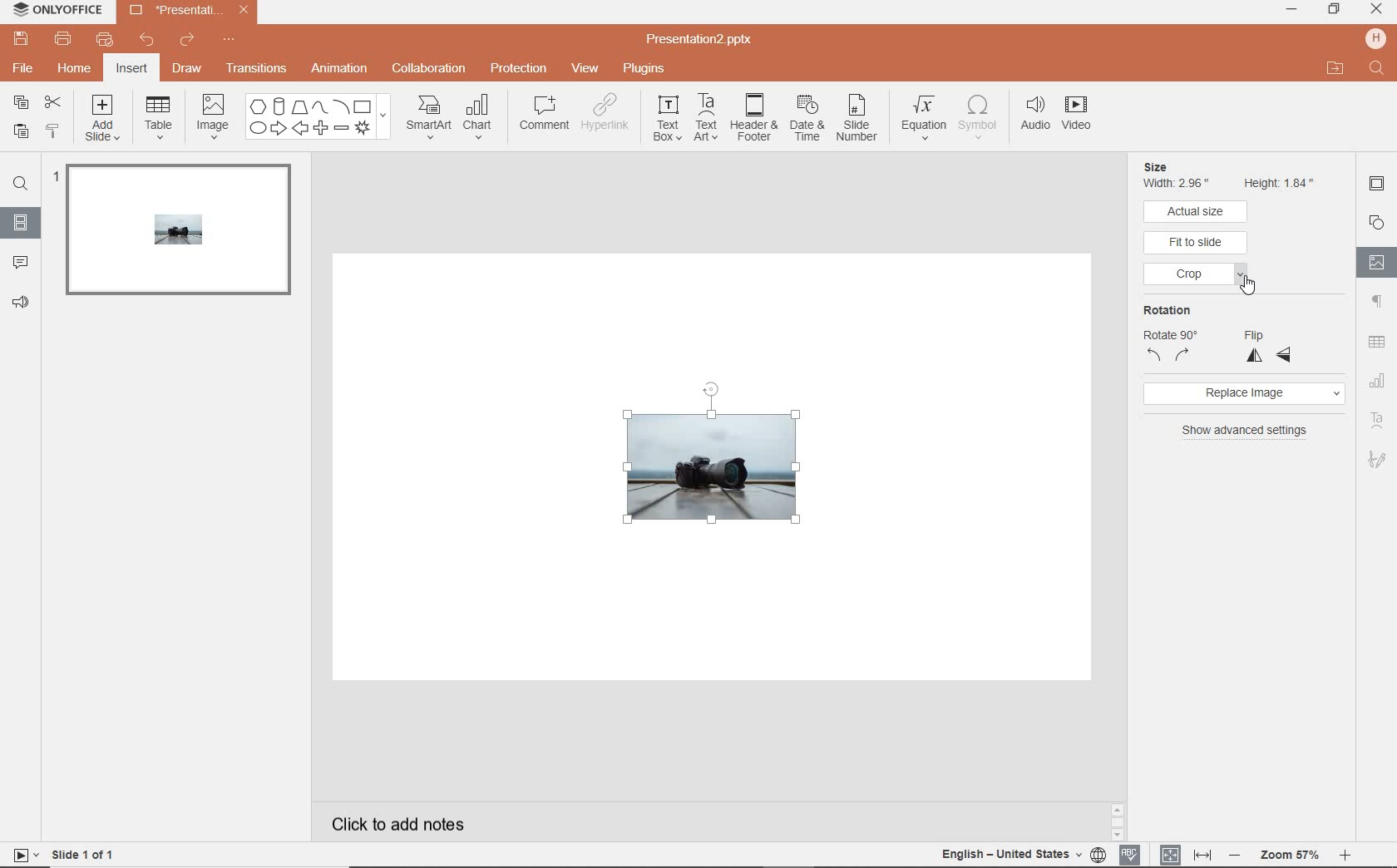  I want to click on table settings, so click(1376, 341).